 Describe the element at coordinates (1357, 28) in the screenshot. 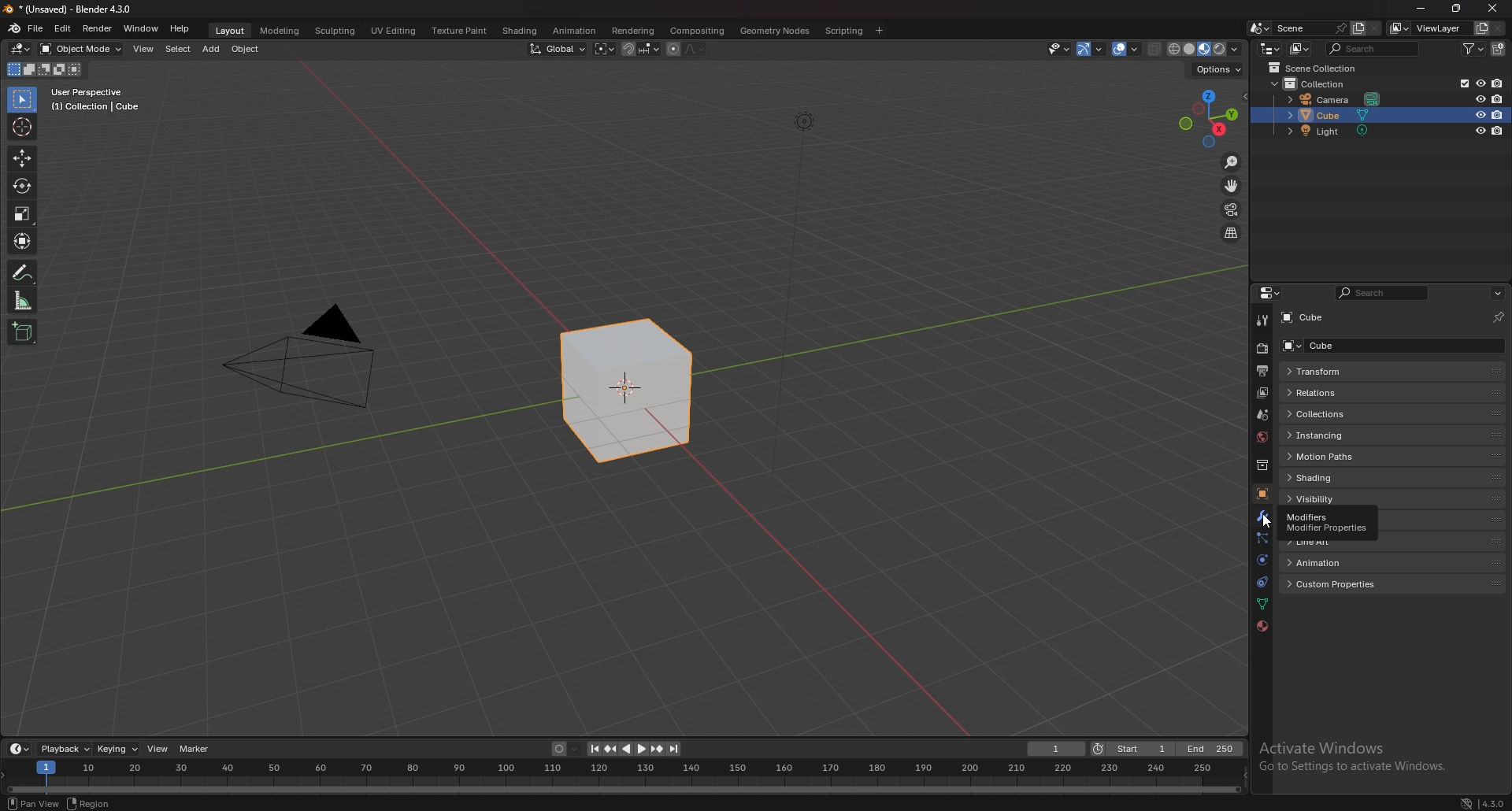

I see `add scene` at that location.